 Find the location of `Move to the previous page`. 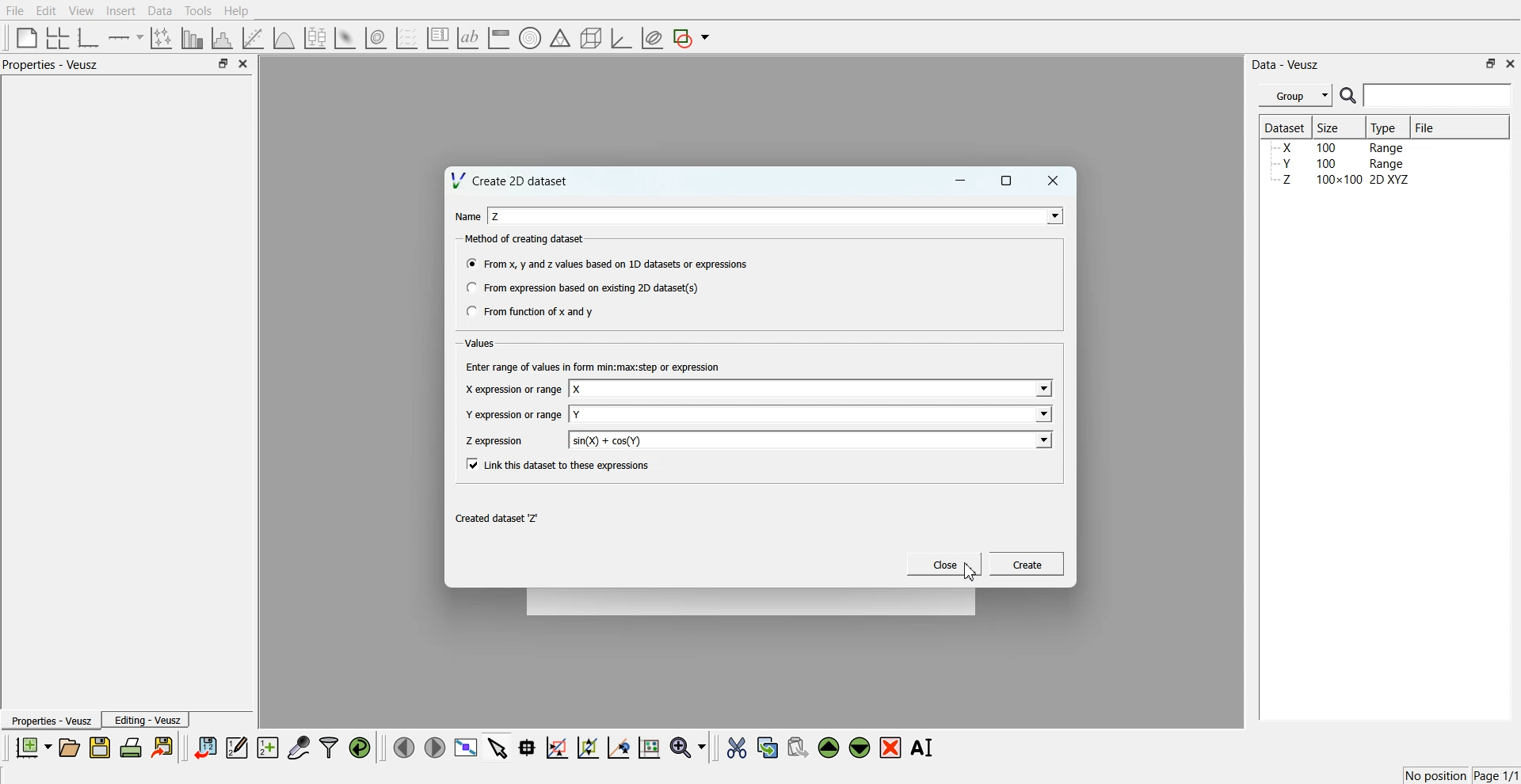

Move to the previous page is located at coordinates (404, 747).